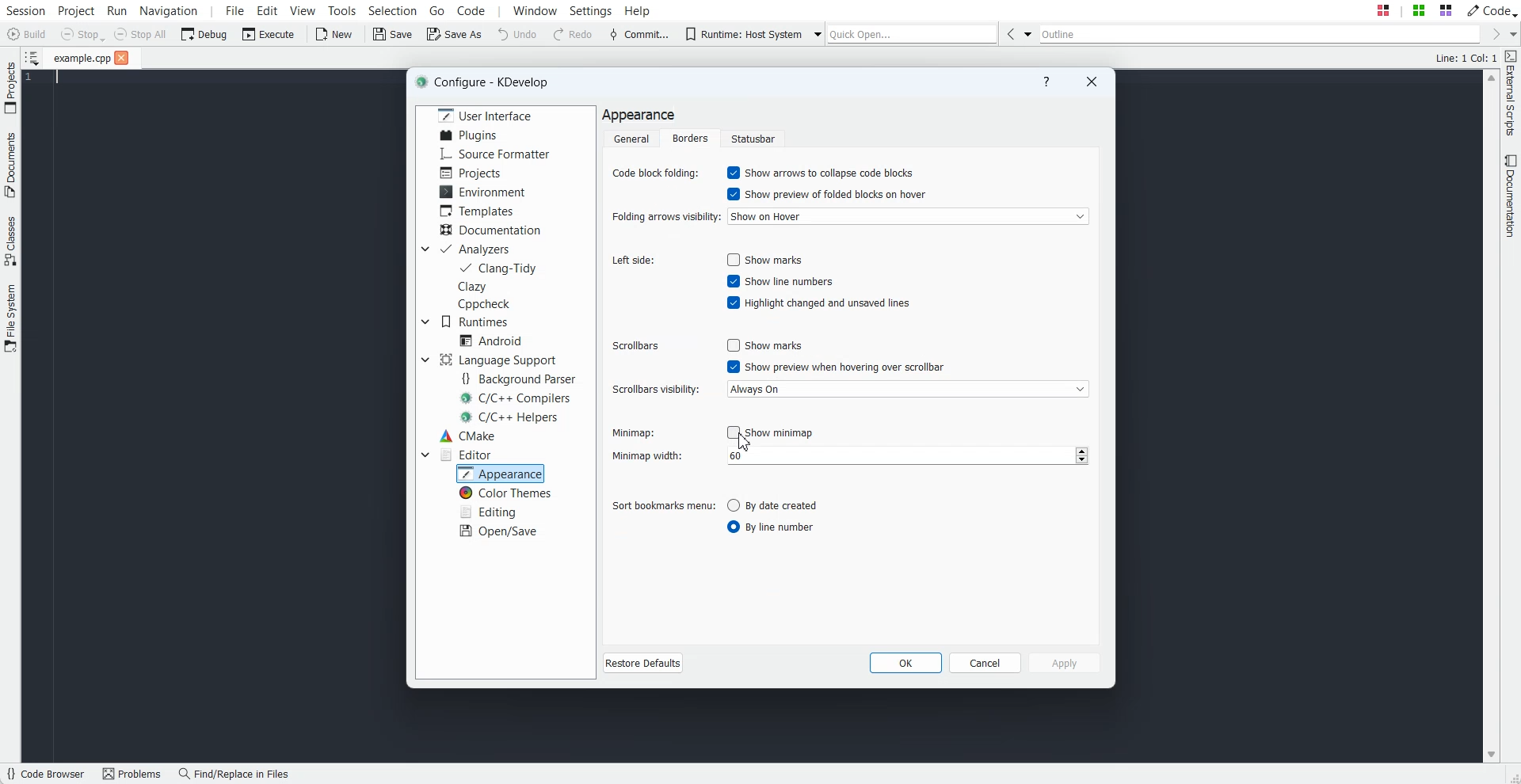  Describe the element at coordinates (424, 249) in the screenshot. I see `Drop down box` at that location.